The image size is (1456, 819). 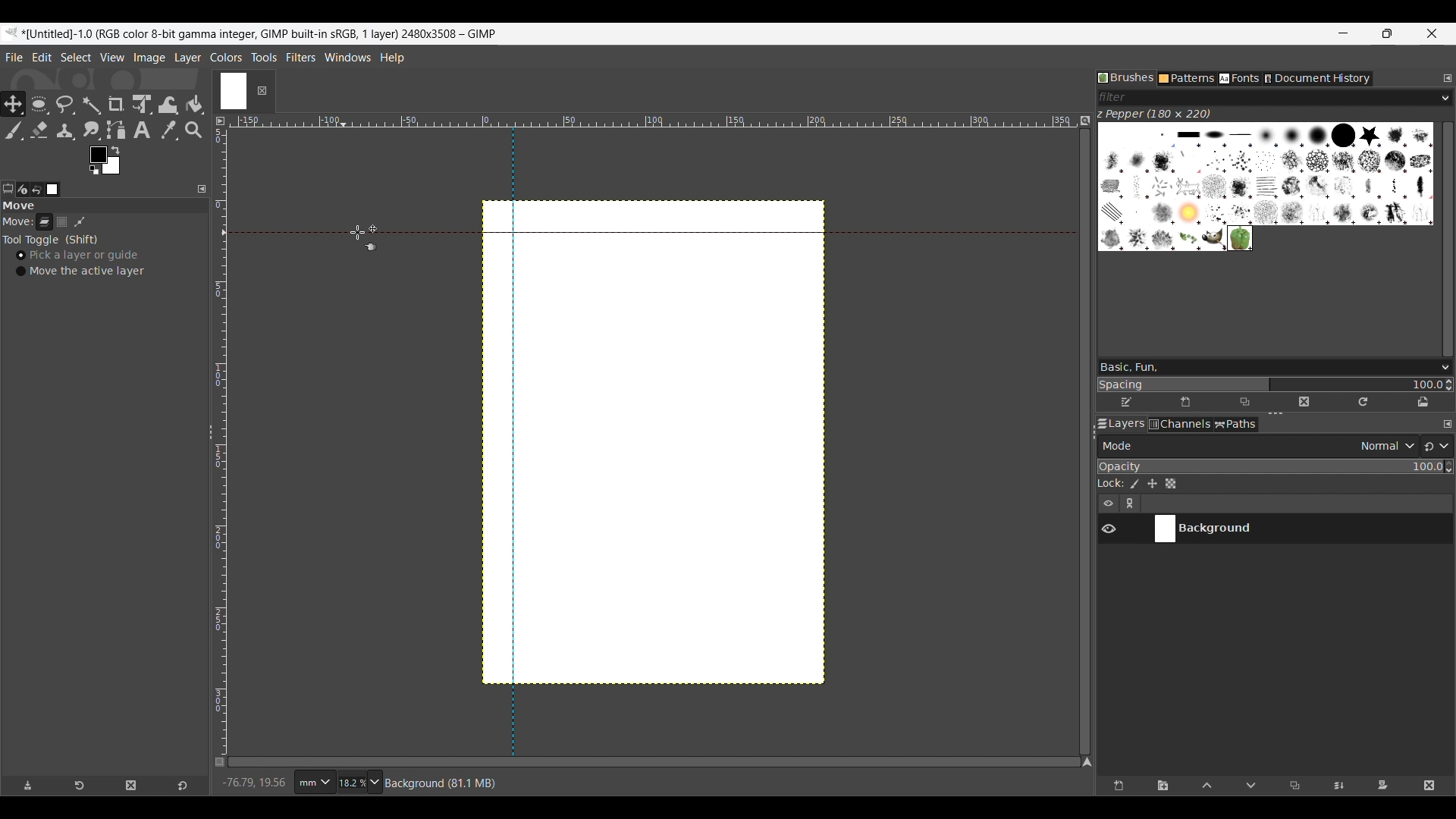 What do you see at coordinates (221, 763) in the screenshot?
I see `Toggle quick mask on/off` at bounding box center [221, 763].